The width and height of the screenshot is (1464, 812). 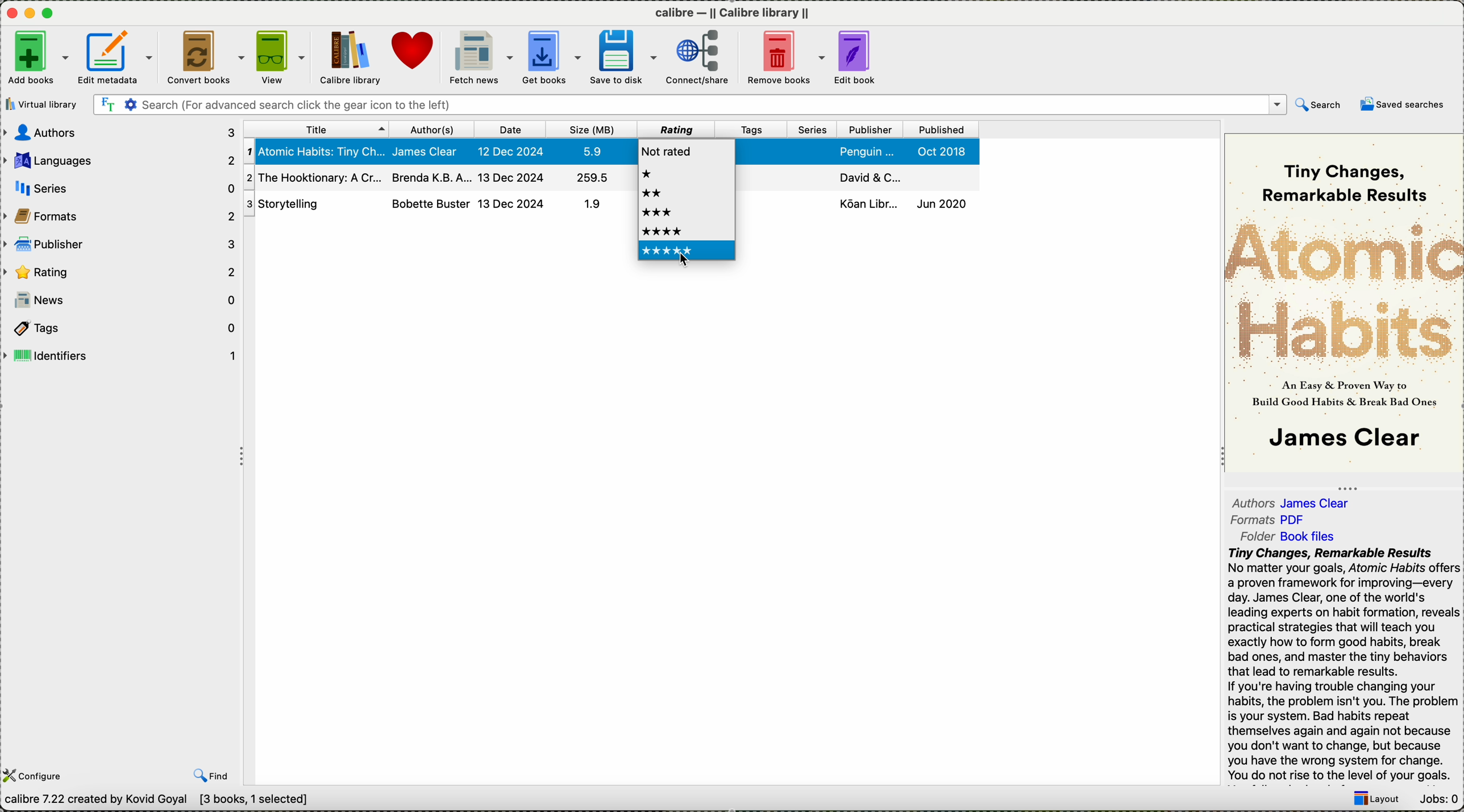 What do you see at coordinates (1345, 486) in the screenshot?
I see `collapse` at bounding box center [1345, 486].